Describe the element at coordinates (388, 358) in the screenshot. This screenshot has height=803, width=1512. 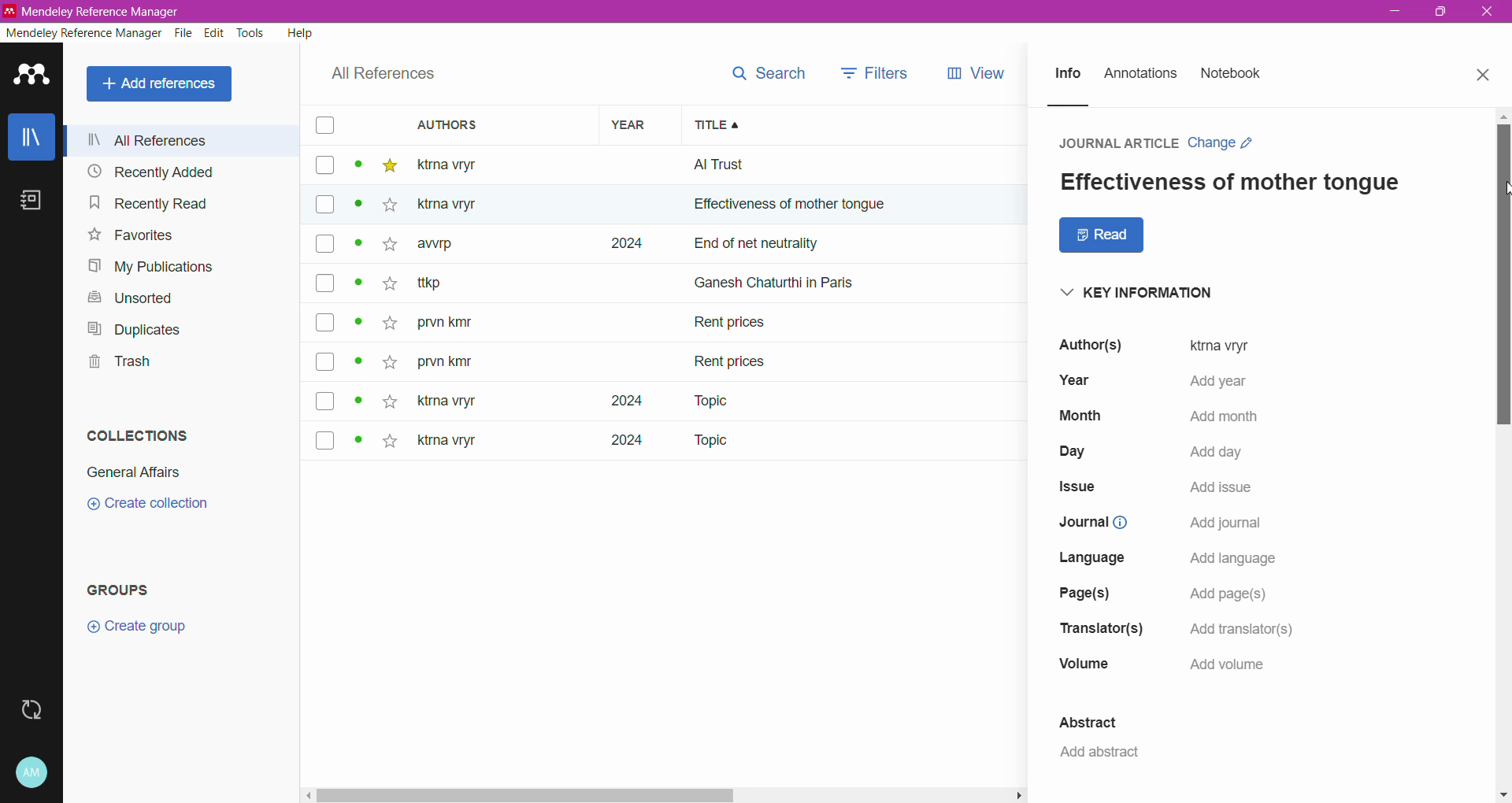
I see `star` at that location.